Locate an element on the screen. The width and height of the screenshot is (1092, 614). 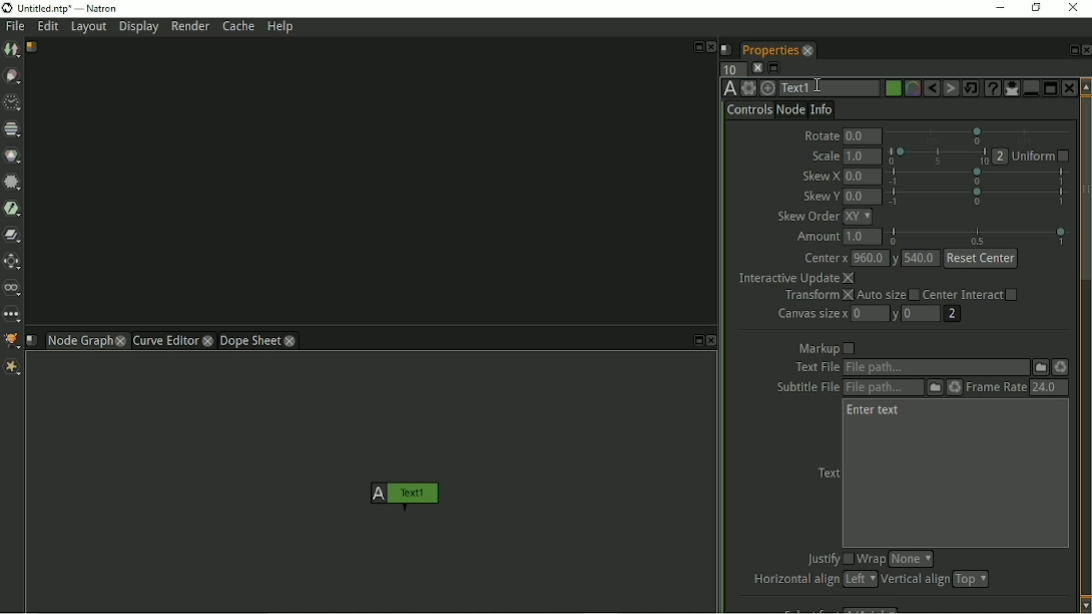
Draw is located at coordinates (13, 77).